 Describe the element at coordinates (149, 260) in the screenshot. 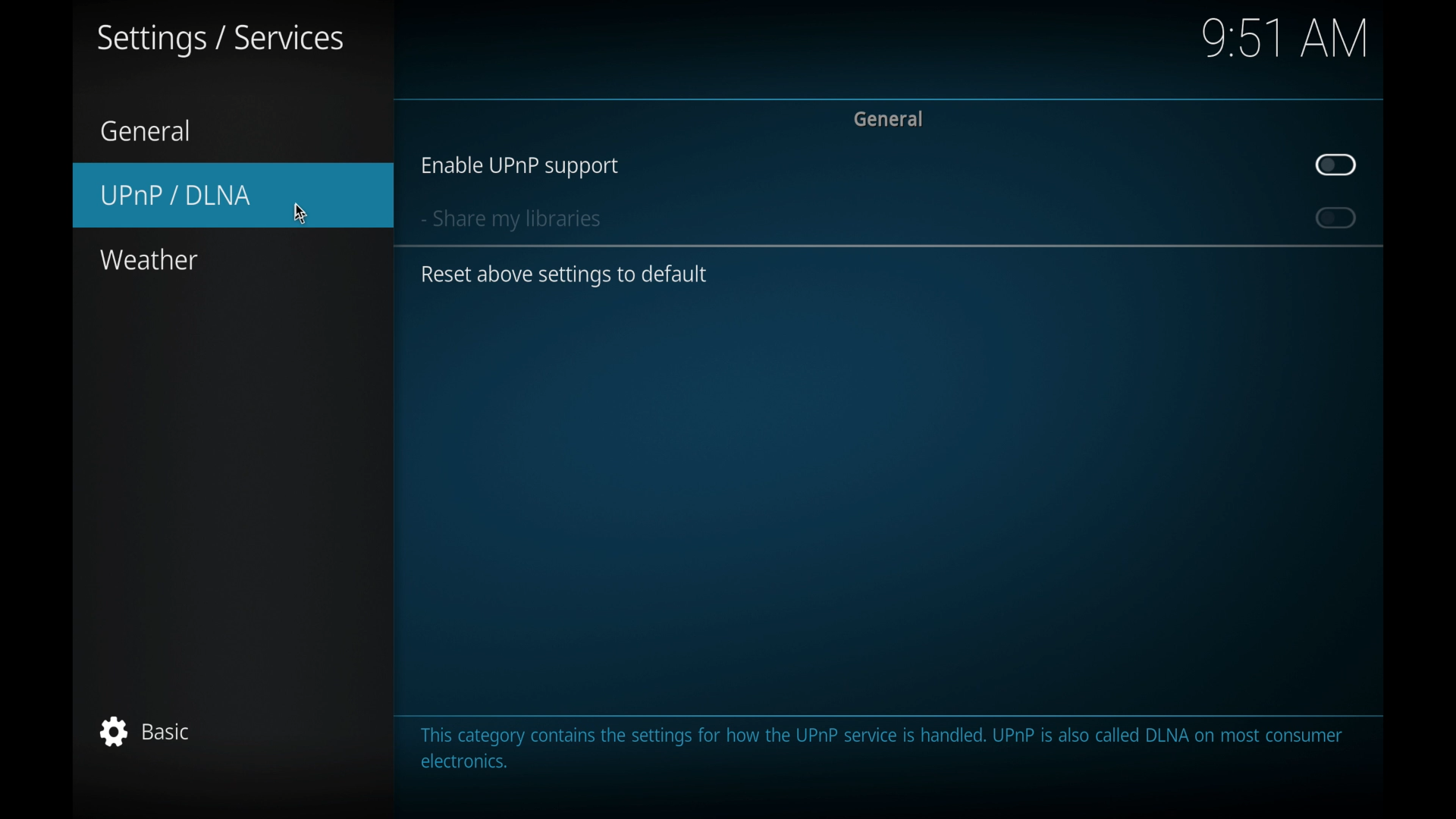

I see `weather` at that location.